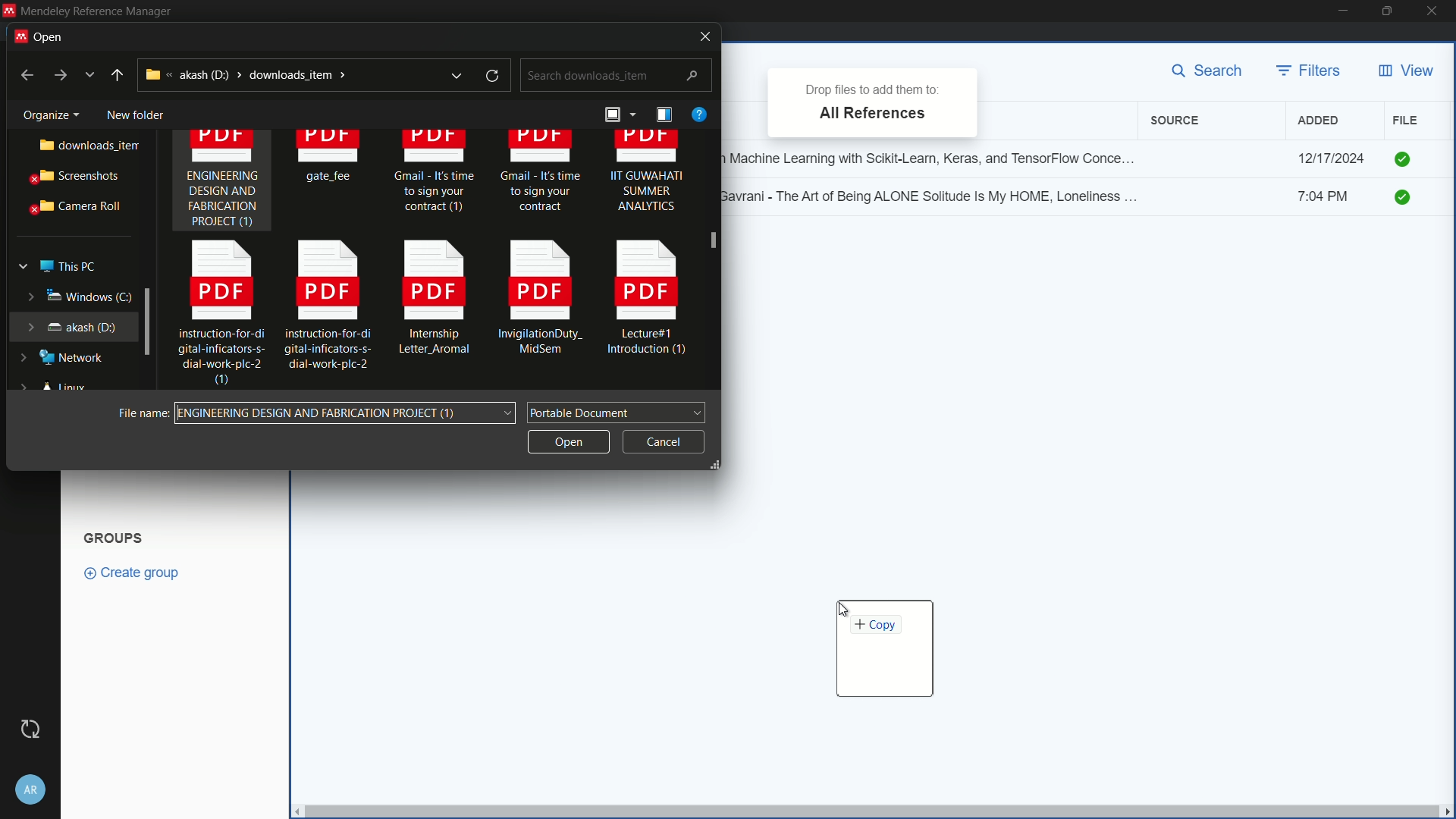 The image size is (1456, 819). What do you see at coordinates (614, 76) in the screenshot?
I see `search downloads_item` at bounding box center [614, 76].